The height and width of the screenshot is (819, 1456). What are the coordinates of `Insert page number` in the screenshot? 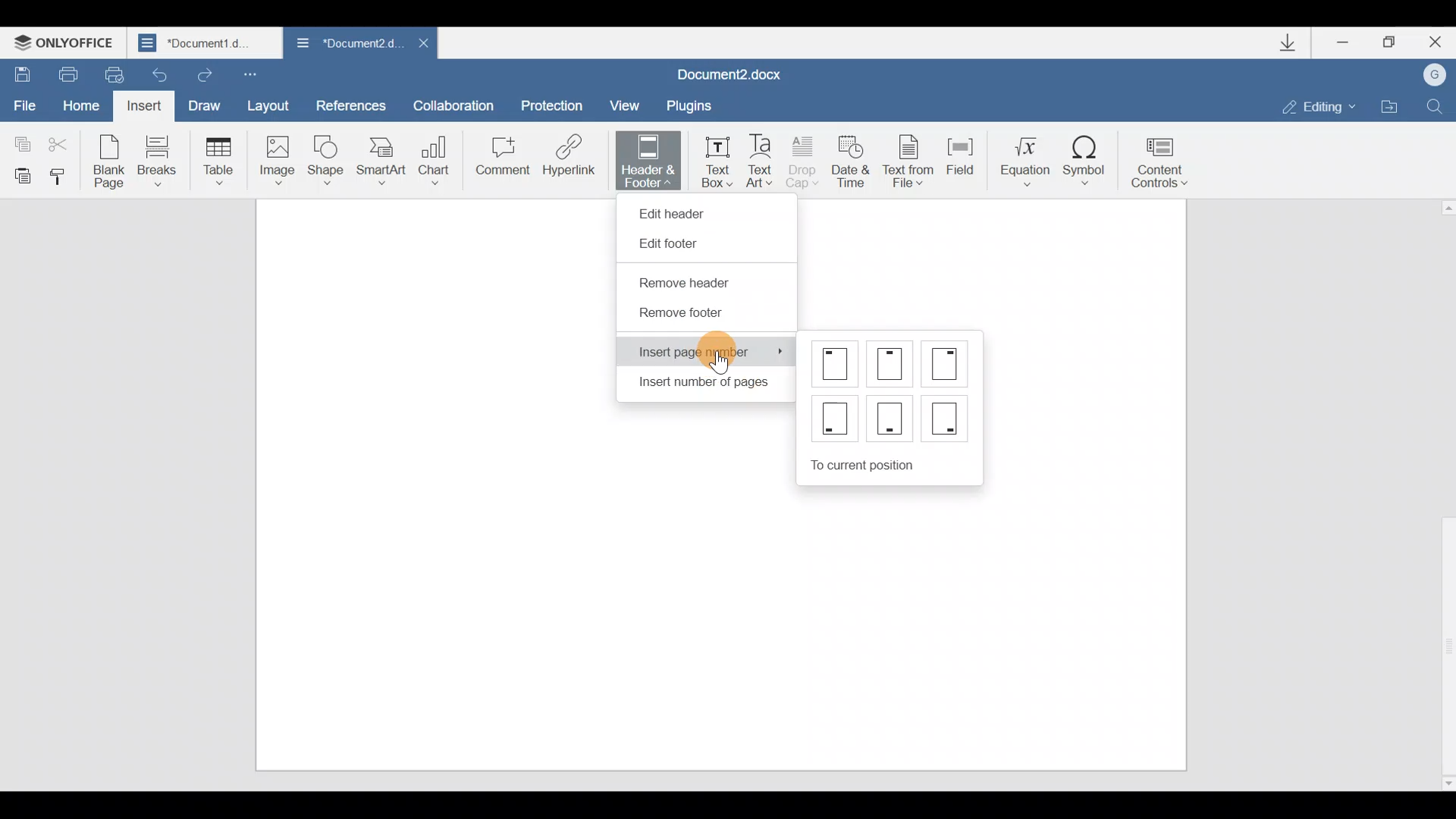 It's located at (709, 352).